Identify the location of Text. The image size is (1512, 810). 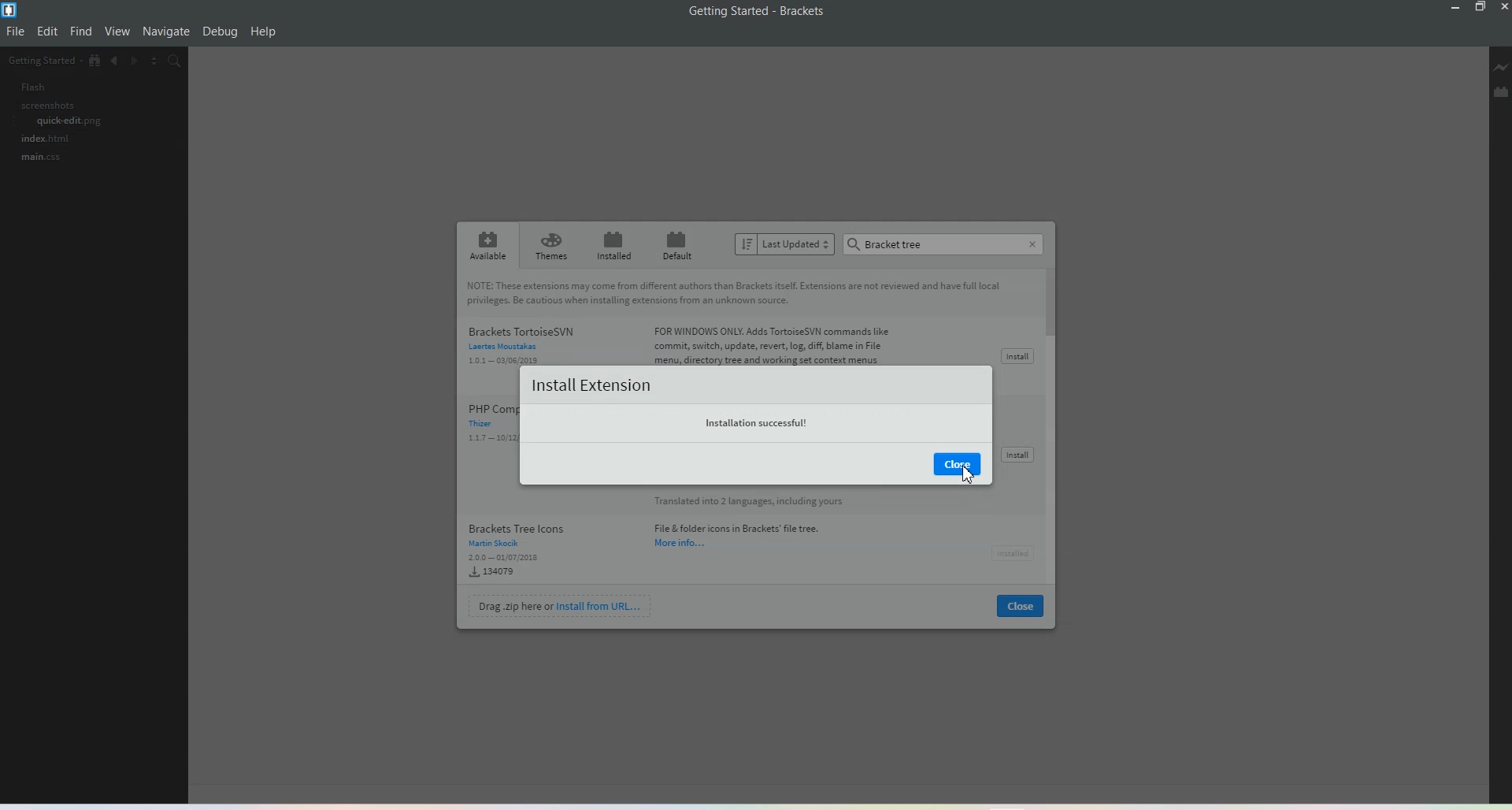
(736, 292).